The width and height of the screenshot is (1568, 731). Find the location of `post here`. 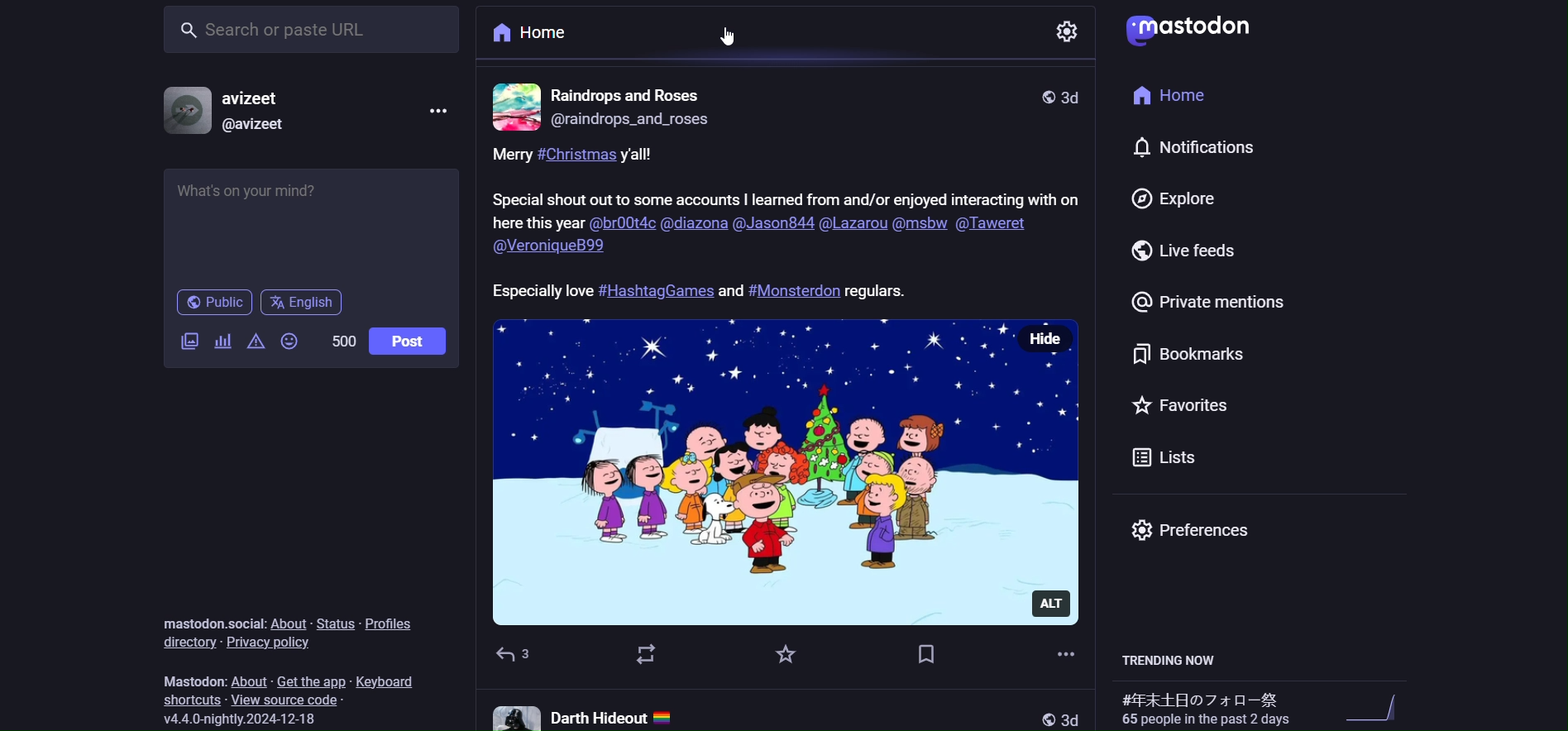

post here is located at coordinates (308, 219).